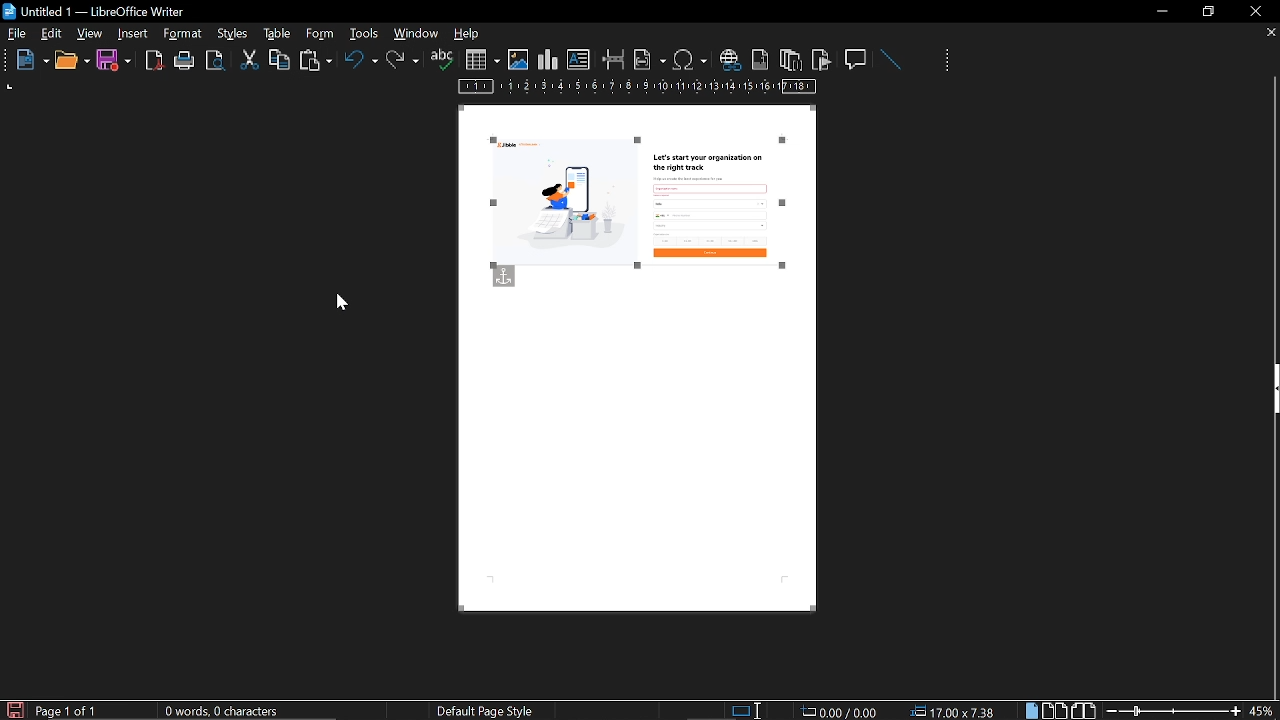 This screenshot has height=720, width=1280. I want to click on insert bookmark, so click(822, 60).